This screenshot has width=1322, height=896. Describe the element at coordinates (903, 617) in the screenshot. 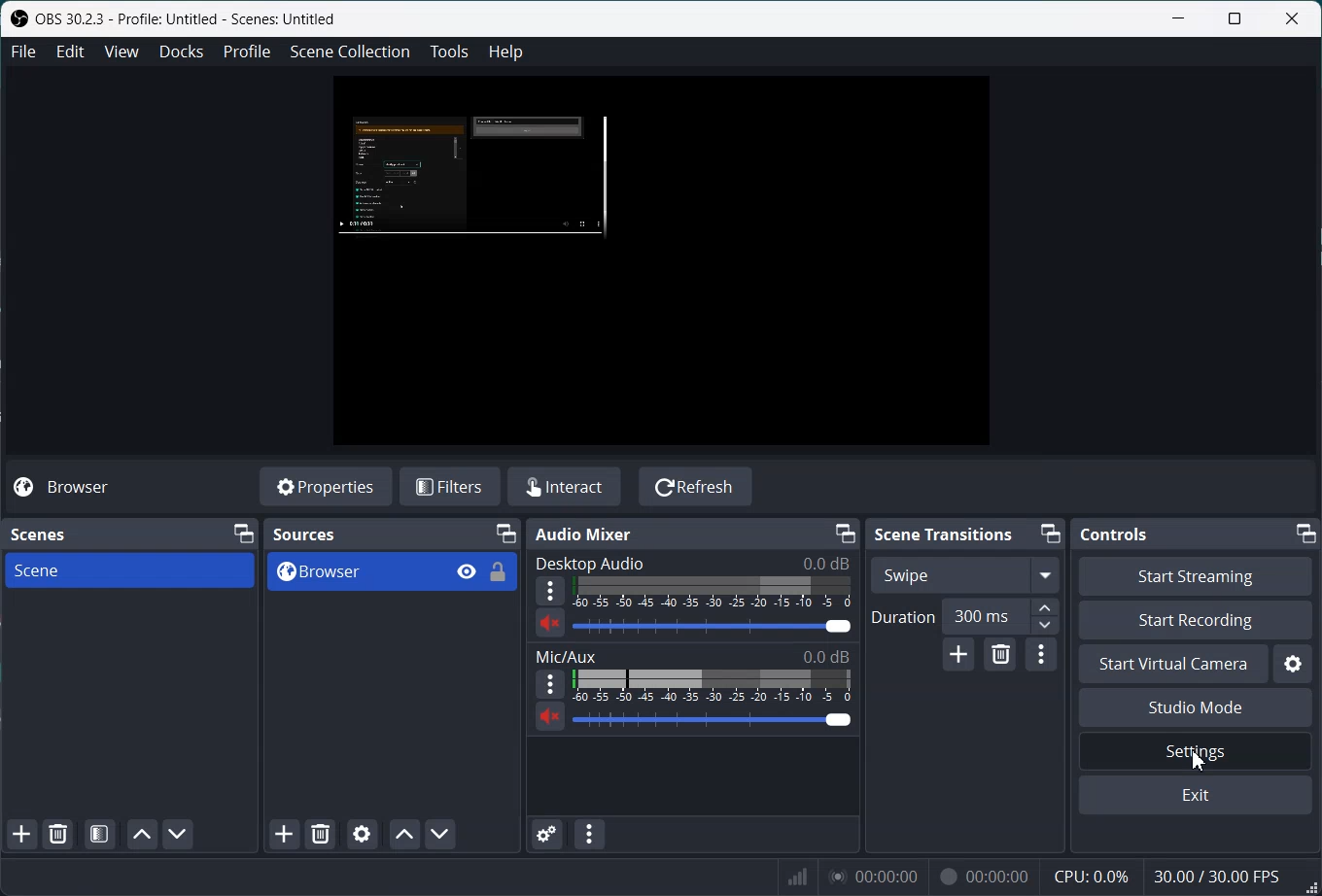

I see `Duration` at that location.